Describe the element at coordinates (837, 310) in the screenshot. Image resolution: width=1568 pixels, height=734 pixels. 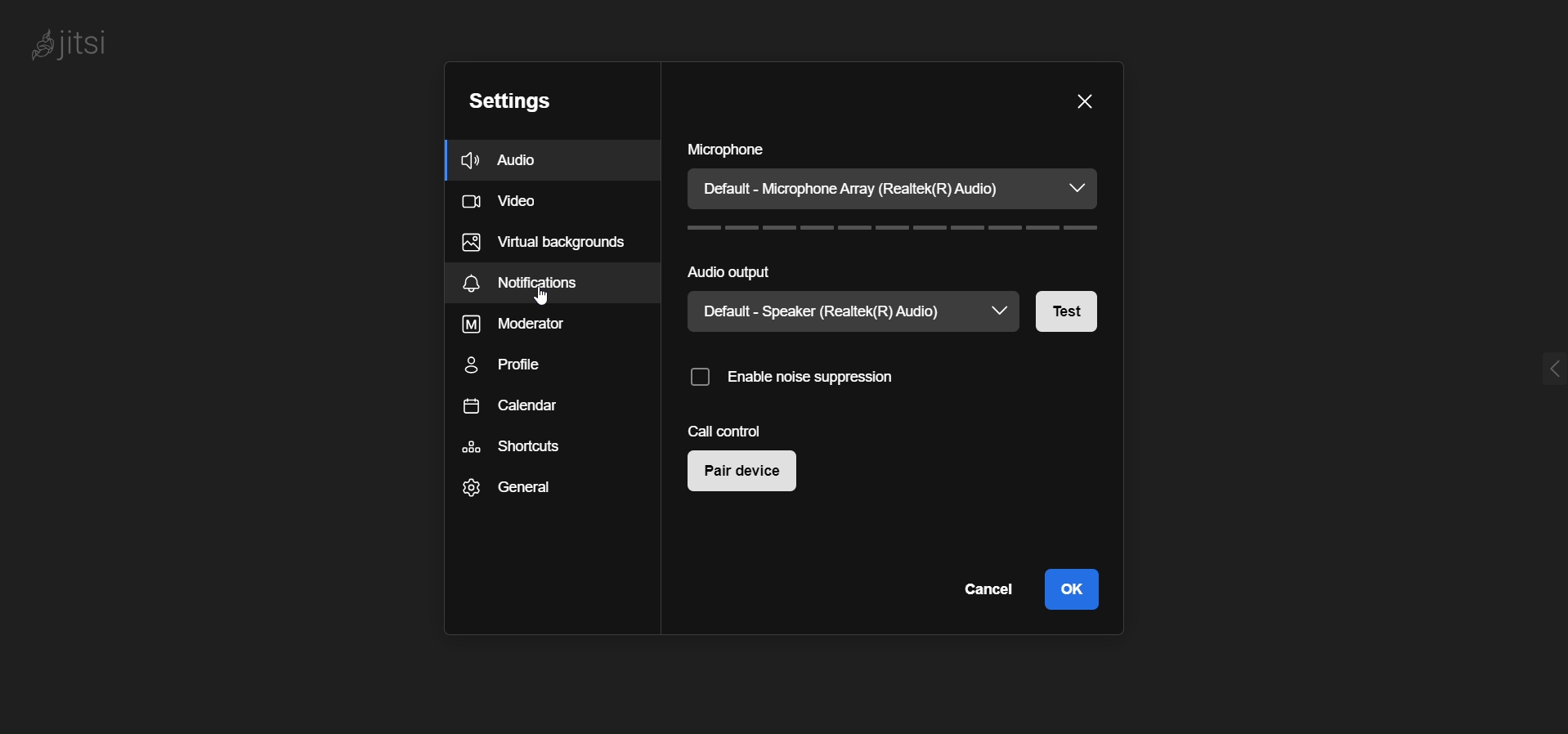
I see `current speaker` at that location.